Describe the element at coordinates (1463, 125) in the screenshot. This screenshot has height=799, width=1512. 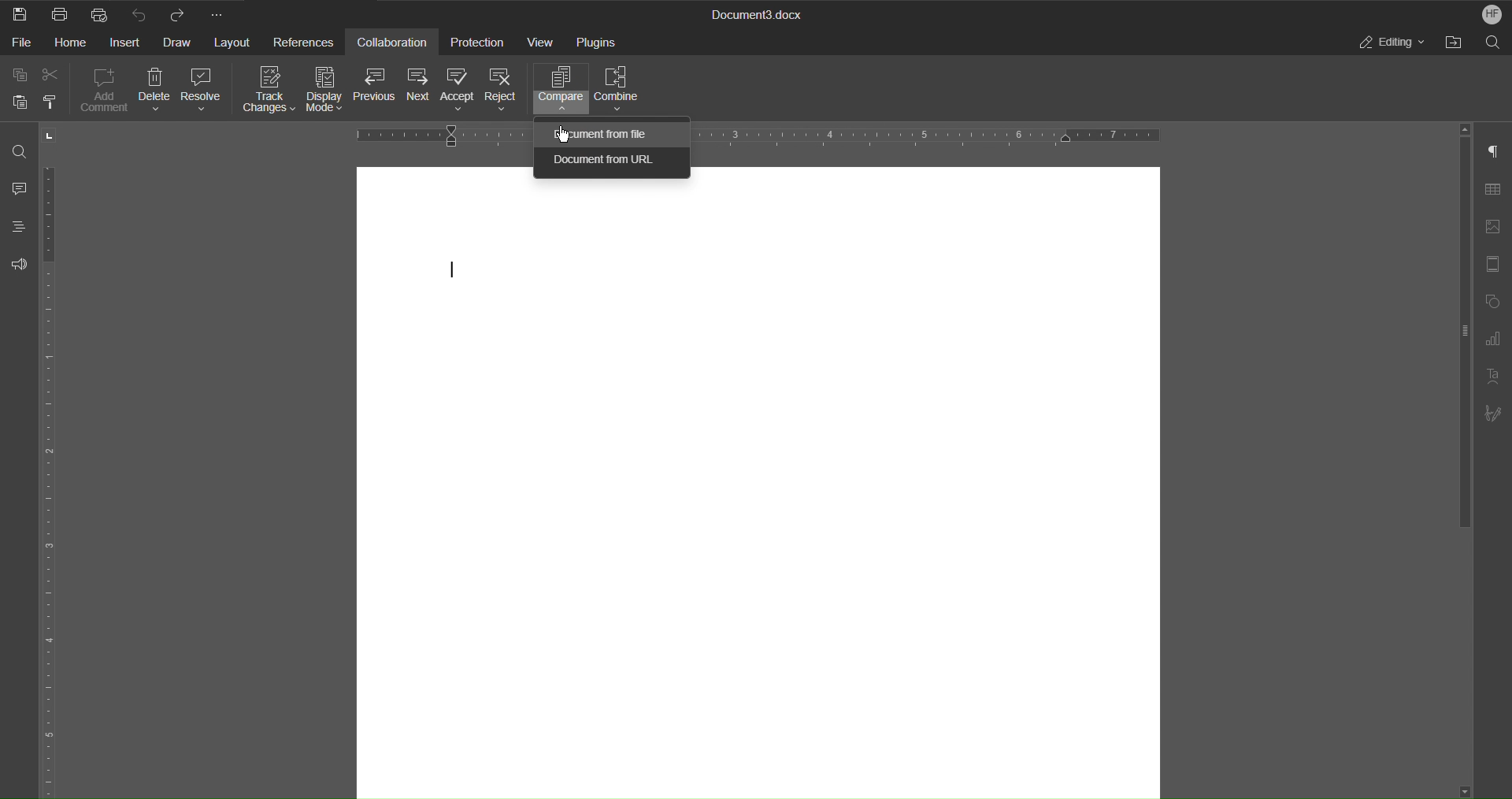
I see `Scroll up` at that location.